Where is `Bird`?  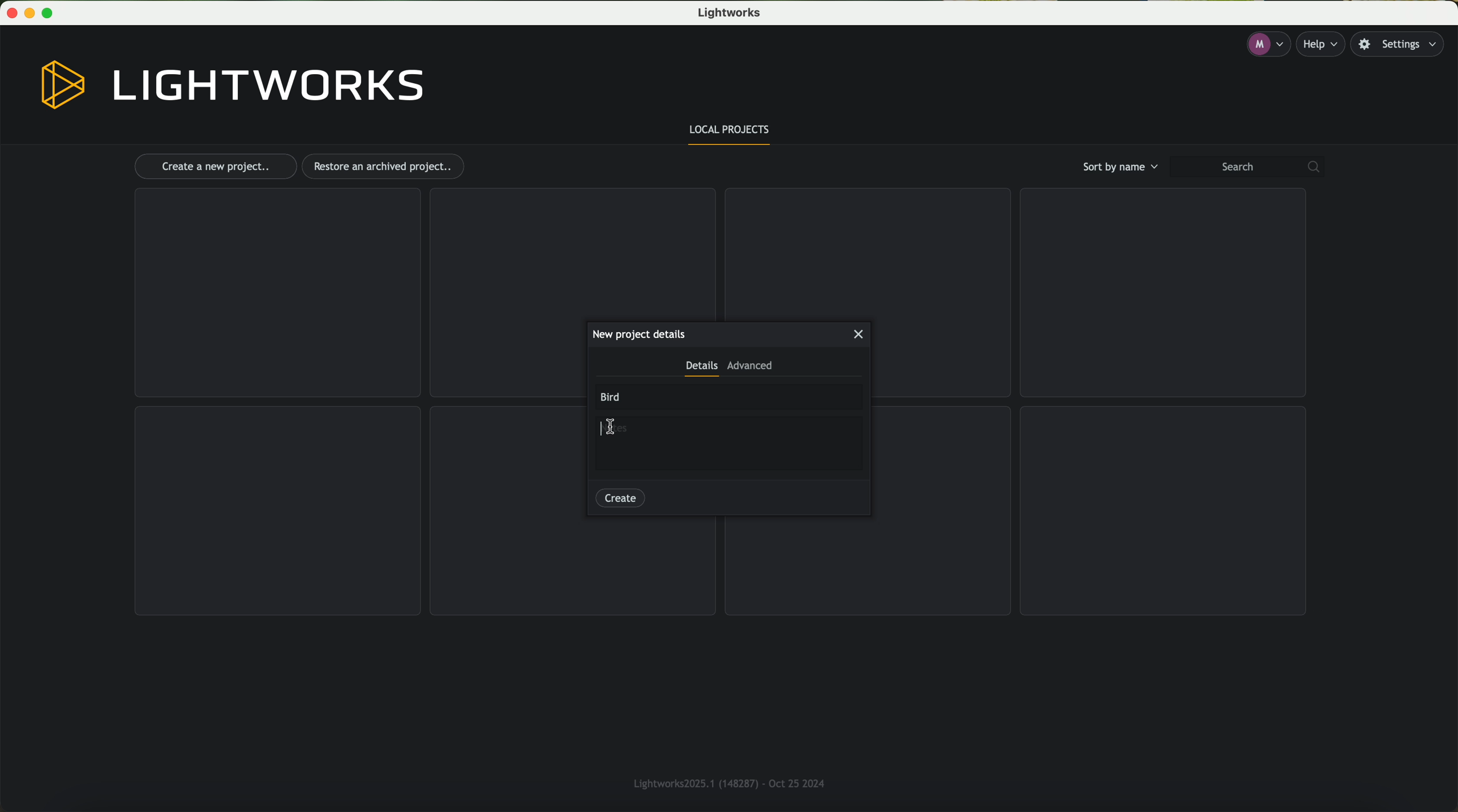
Bird is located at coordinates (612, 397).